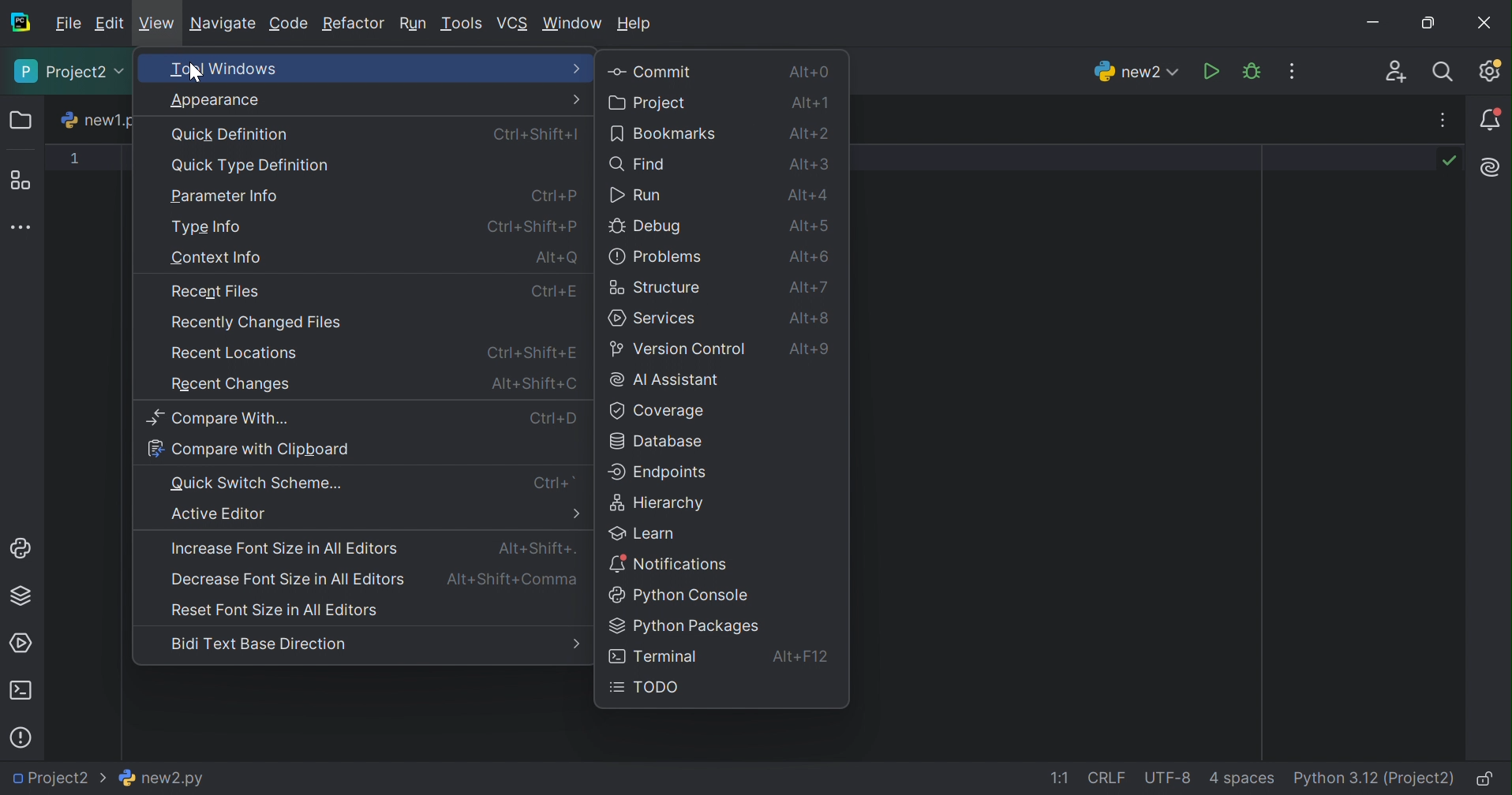 The width and height of the screenshot is (1512, 795). I want to click on Recent changes, so click(225, 385).